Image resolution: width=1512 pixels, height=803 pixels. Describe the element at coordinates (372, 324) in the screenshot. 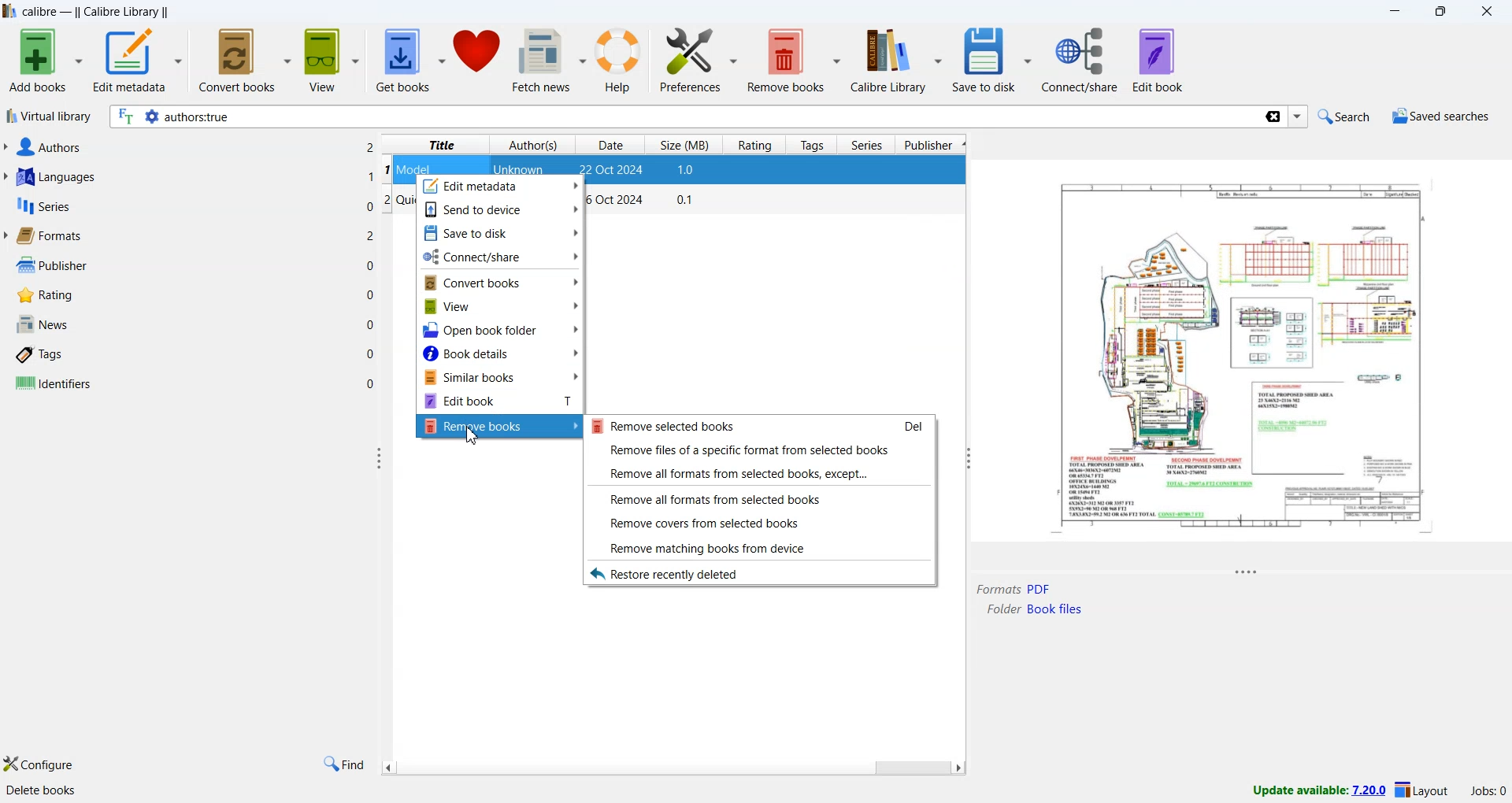

I see `0` at that location.